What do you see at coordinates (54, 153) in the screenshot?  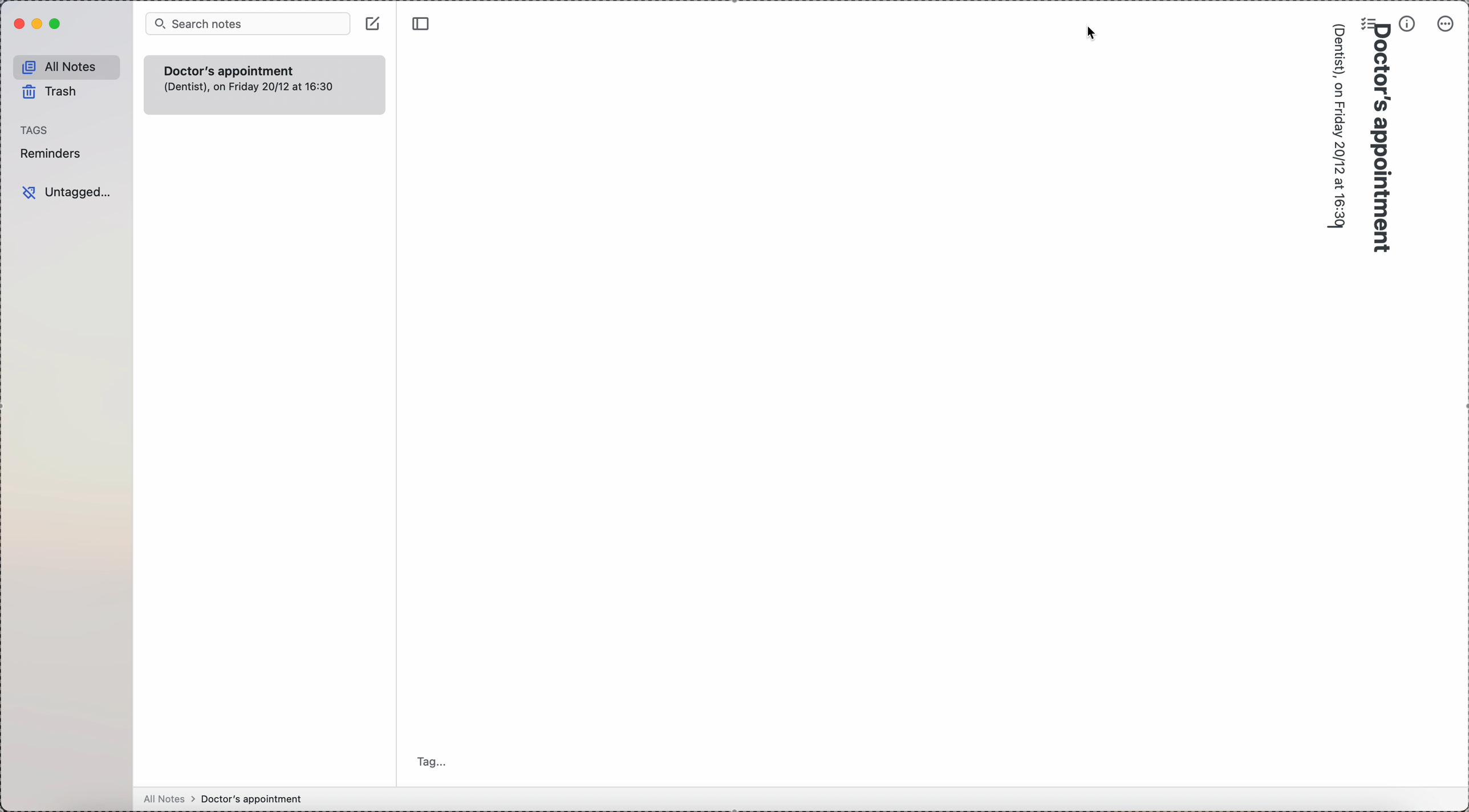 I see `reminders` at bounding box center [54, 153].